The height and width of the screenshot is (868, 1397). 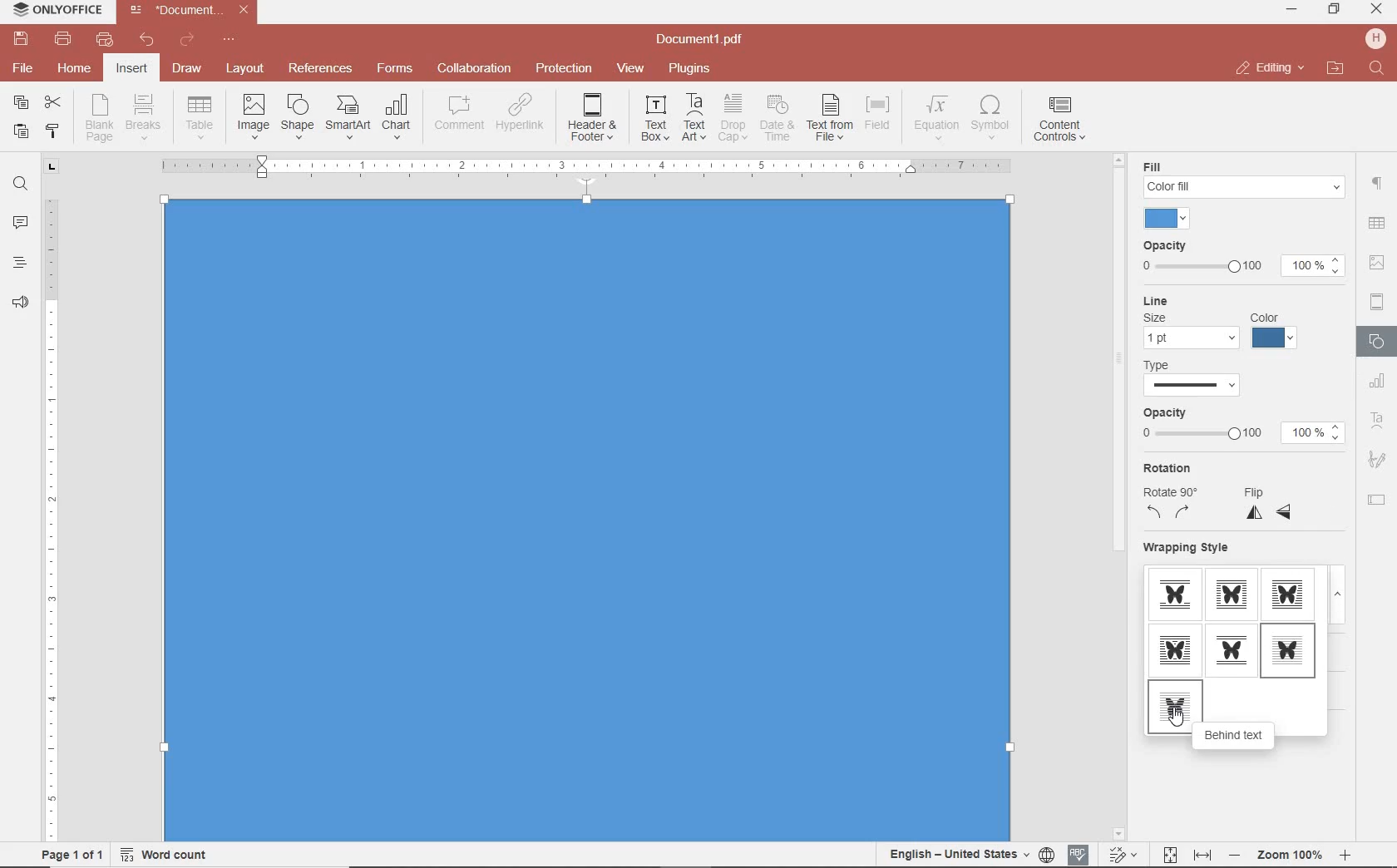 I want to click on DROP CAP, so click(x=733, y=118).